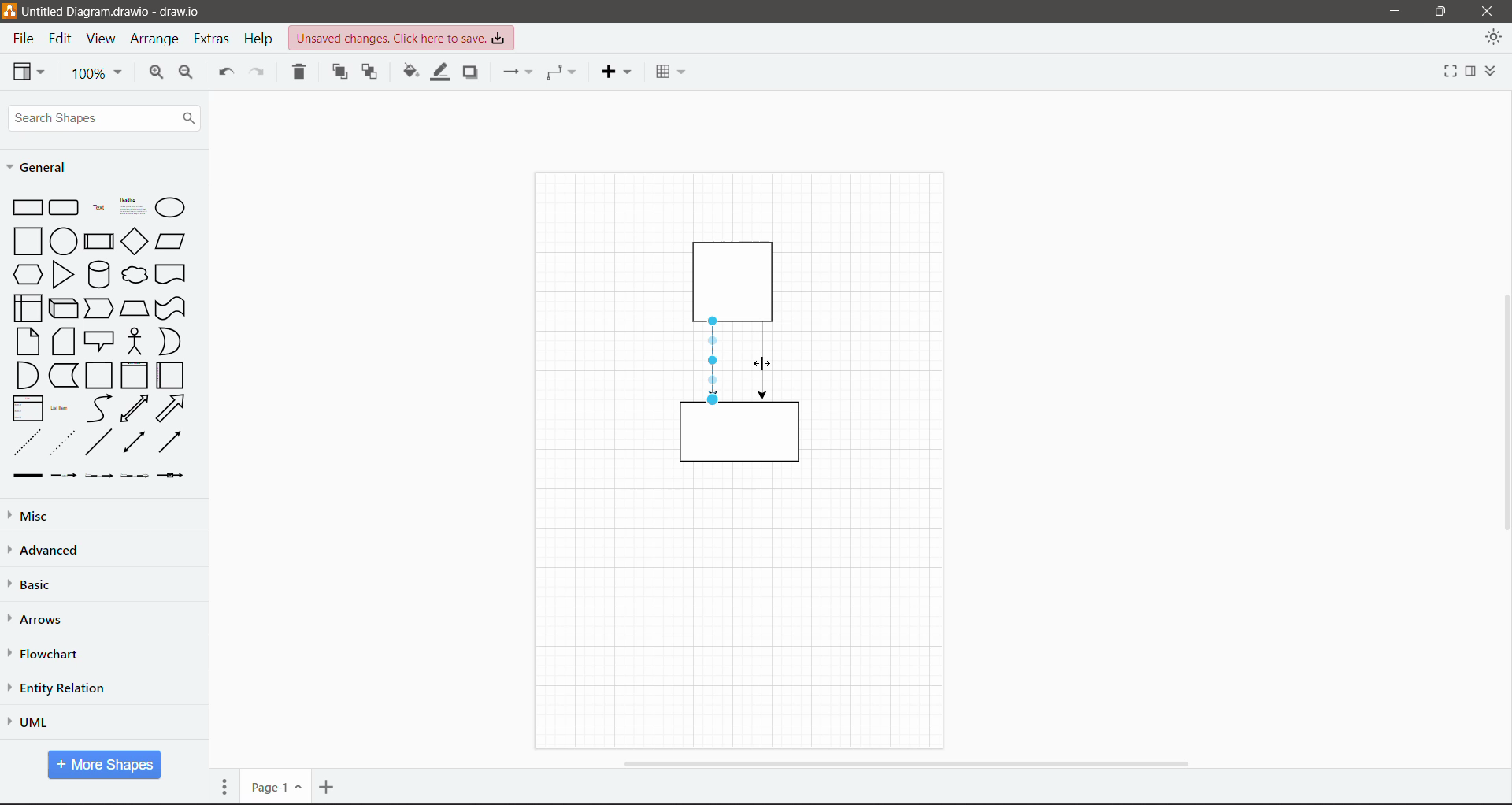 This screenshot has width=1512, height=805. What do you see at coordinates (99, 409) in the screenshot?
I see `curve` at bounding box center [99, 409].